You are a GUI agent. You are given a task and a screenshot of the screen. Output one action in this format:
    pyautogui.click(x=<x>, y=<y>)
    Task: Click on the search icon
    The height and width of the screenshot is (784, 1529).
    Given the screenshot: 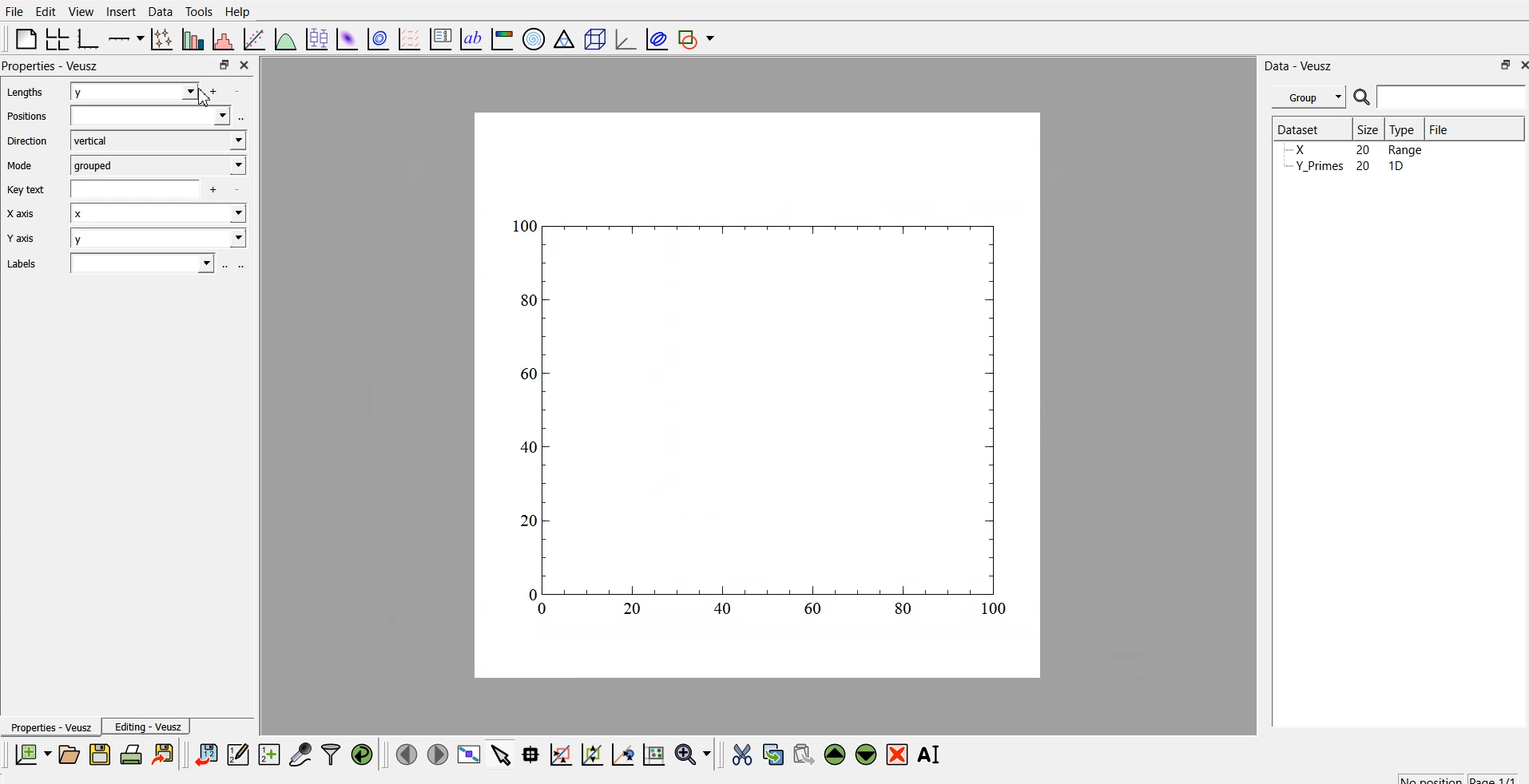 What is the action you would take?
    pyautogui.click(x=1364, y=99)
    